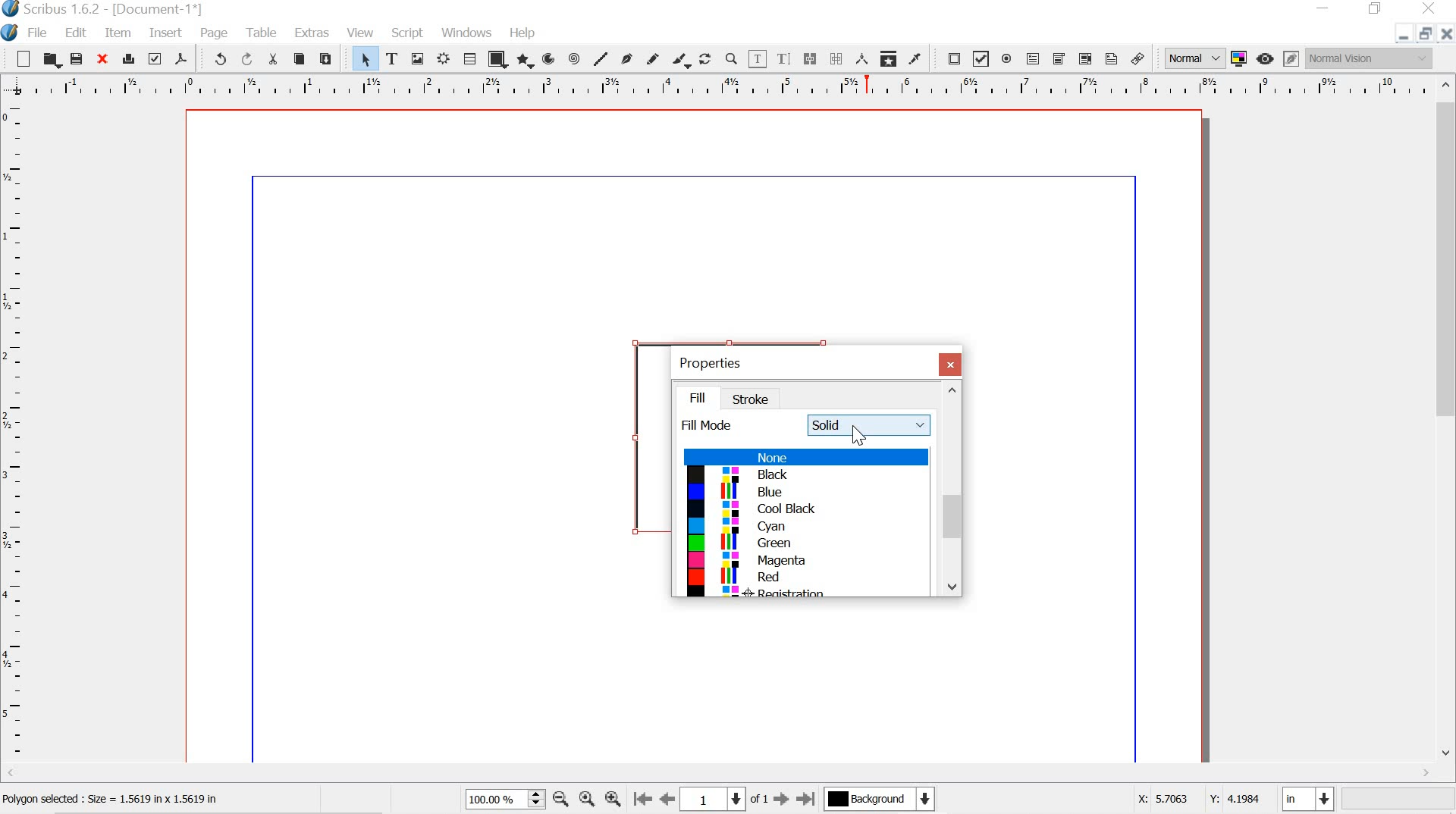  I want to click on pdf radio button, so click(1009, 59).